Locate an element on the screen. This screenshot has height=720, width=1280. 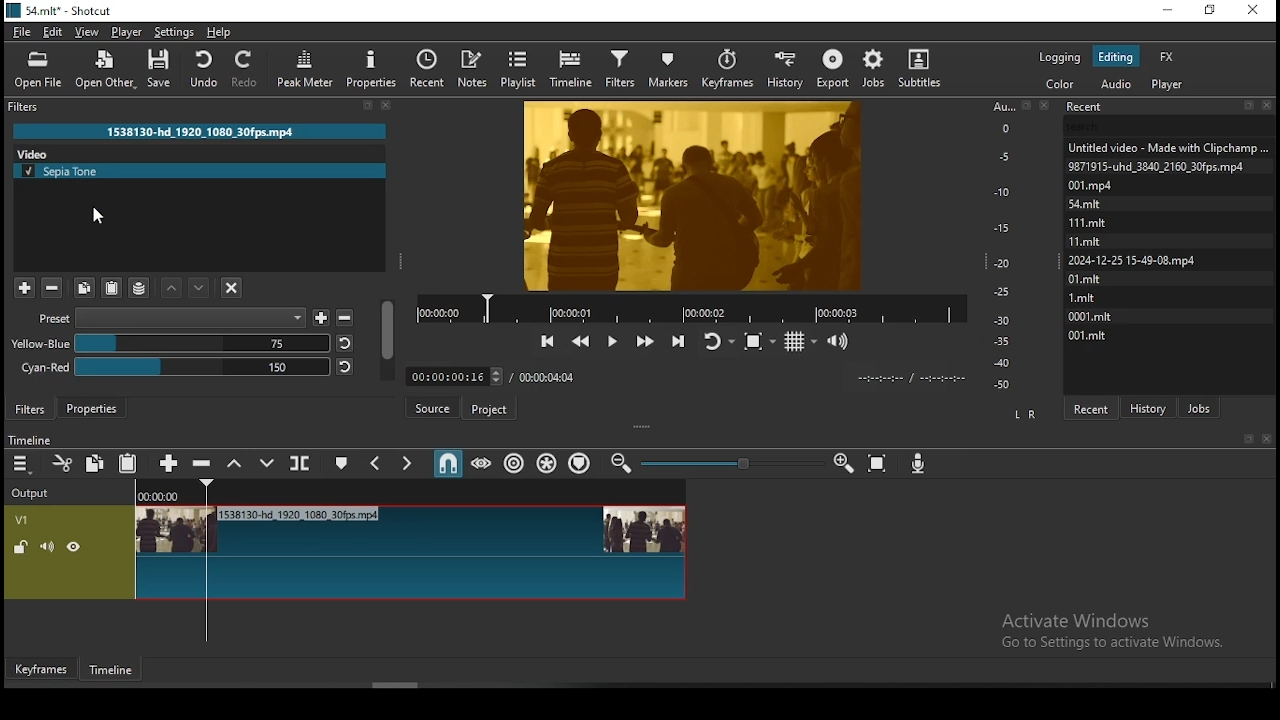
open file is located at coordinates (38, 70).